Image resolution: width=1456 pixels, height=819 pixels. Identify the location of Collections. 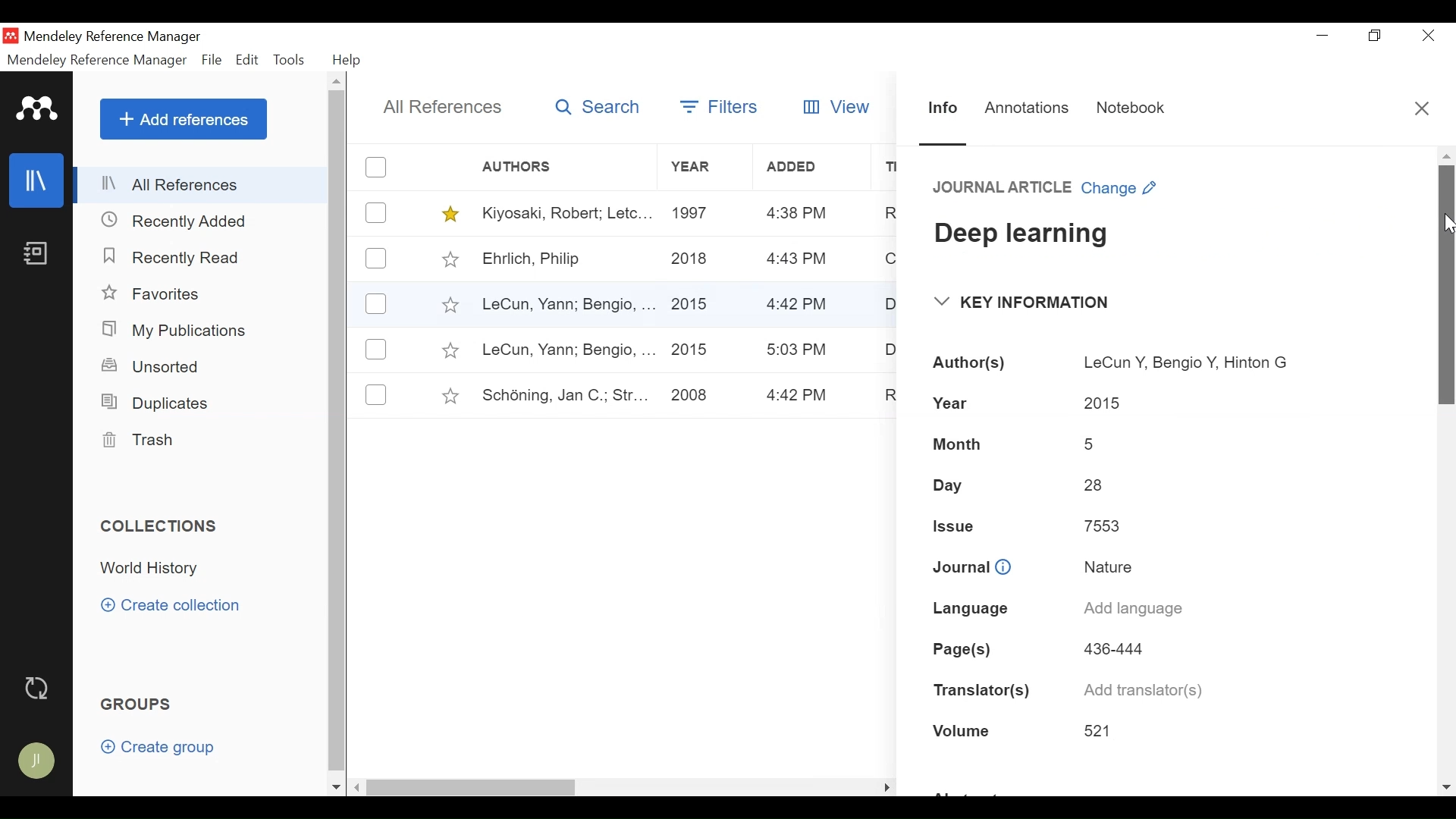
(165, 526).